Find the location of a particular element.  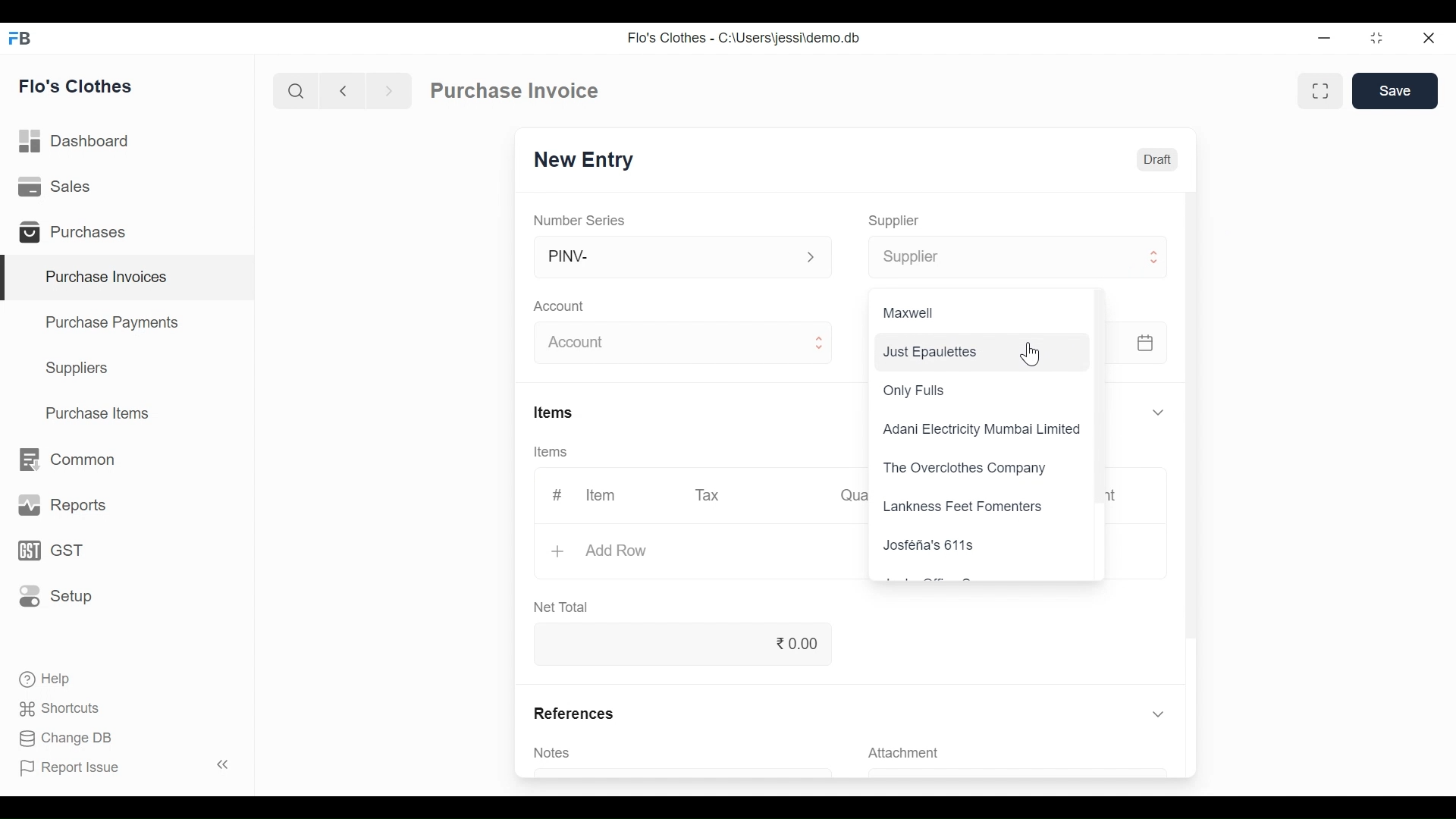

Lankness Feet Fomenters is located at coordinates (962, 508).